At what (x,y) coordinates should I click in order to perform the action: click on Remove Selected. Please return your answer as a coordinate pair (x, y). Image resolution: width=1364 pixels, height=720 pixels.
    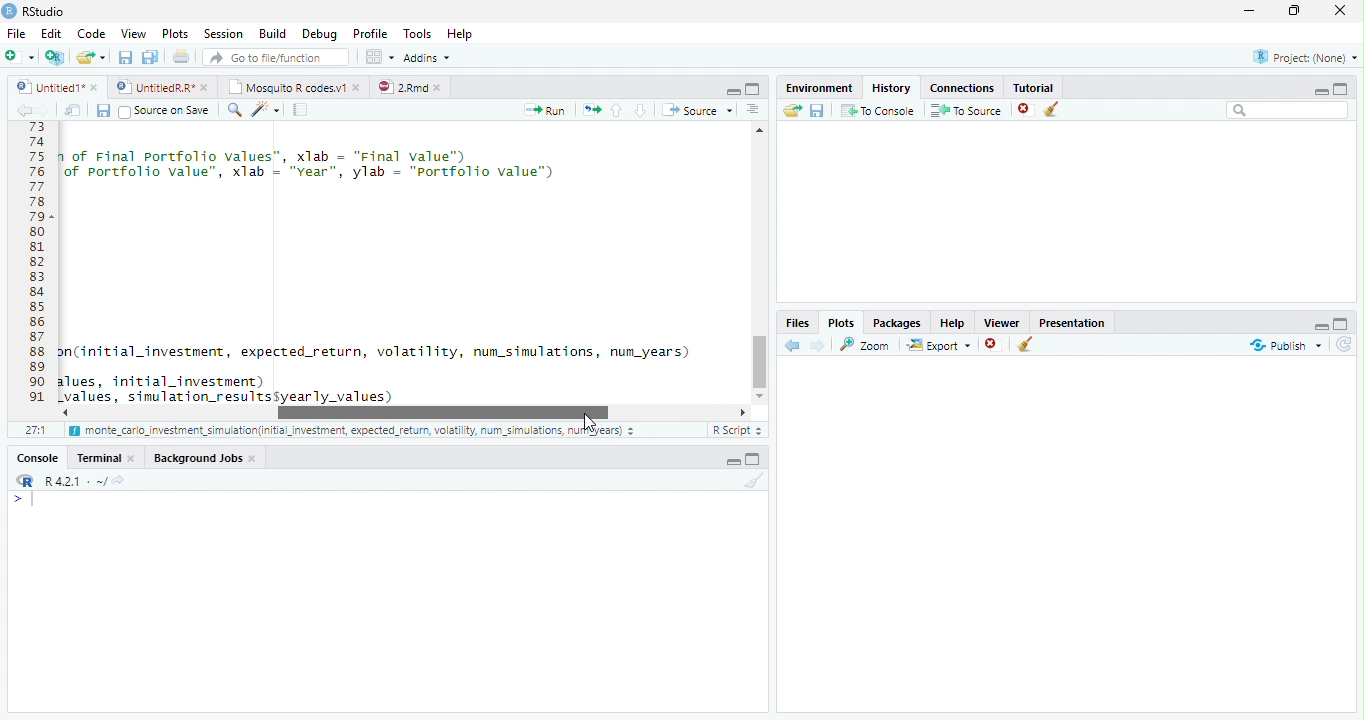
    Looking at the image, I should click on (1027, 109).